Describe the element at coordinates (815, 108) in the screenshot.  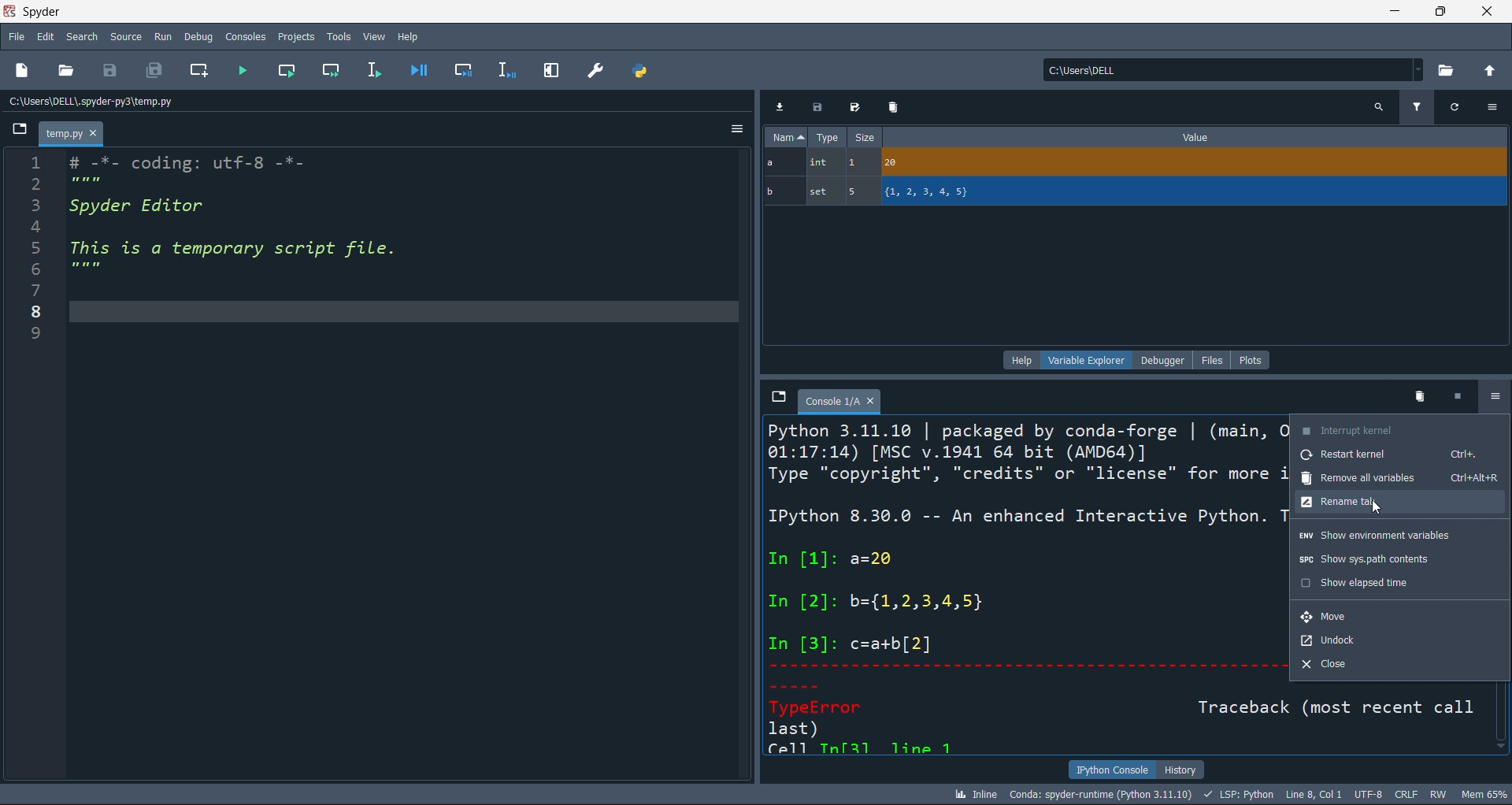
I see `save data` at that location.